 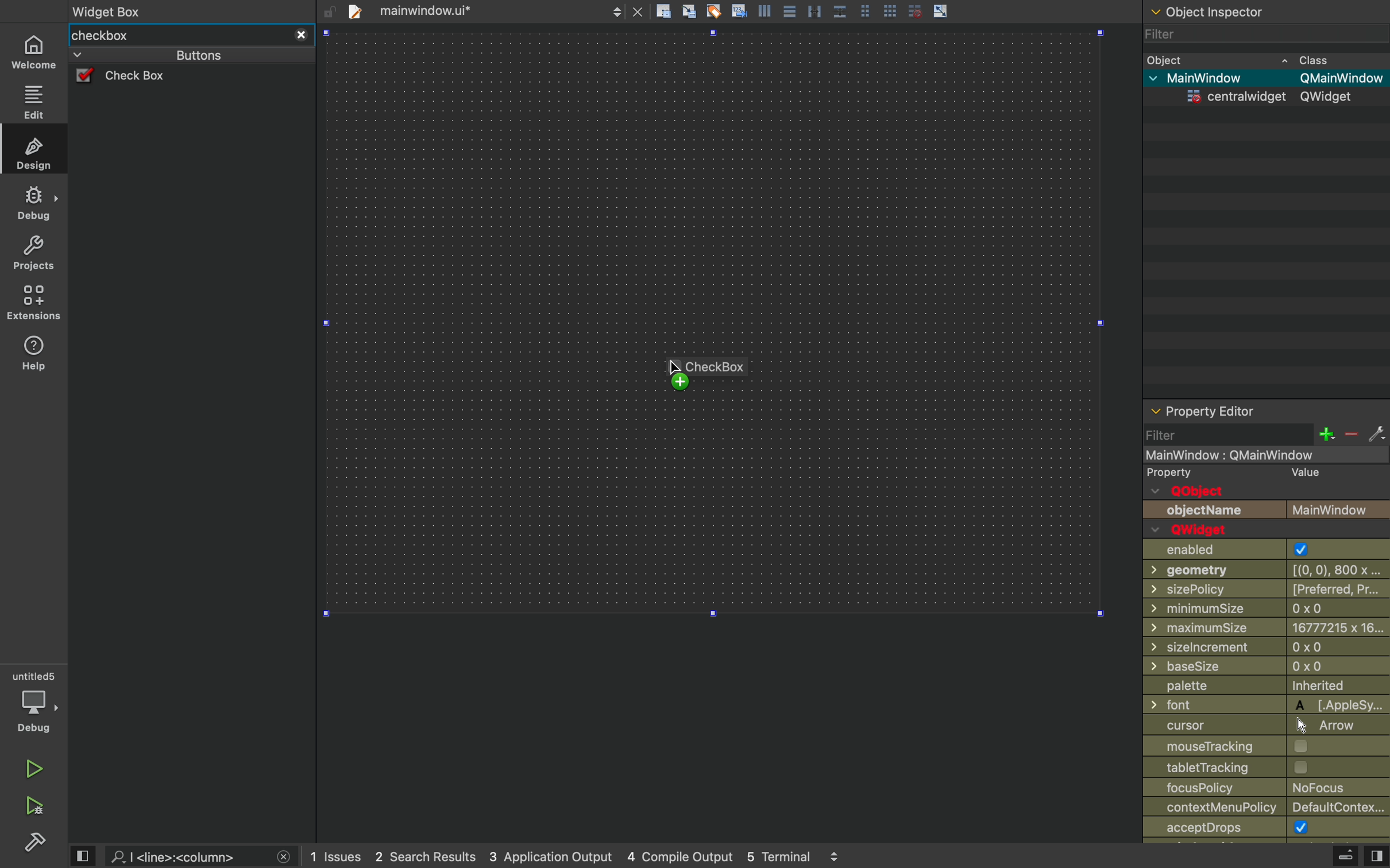 What do you see at coordinates (436, 11) in the screenshot?
I see `file tab` at bounding box center [436, 11].